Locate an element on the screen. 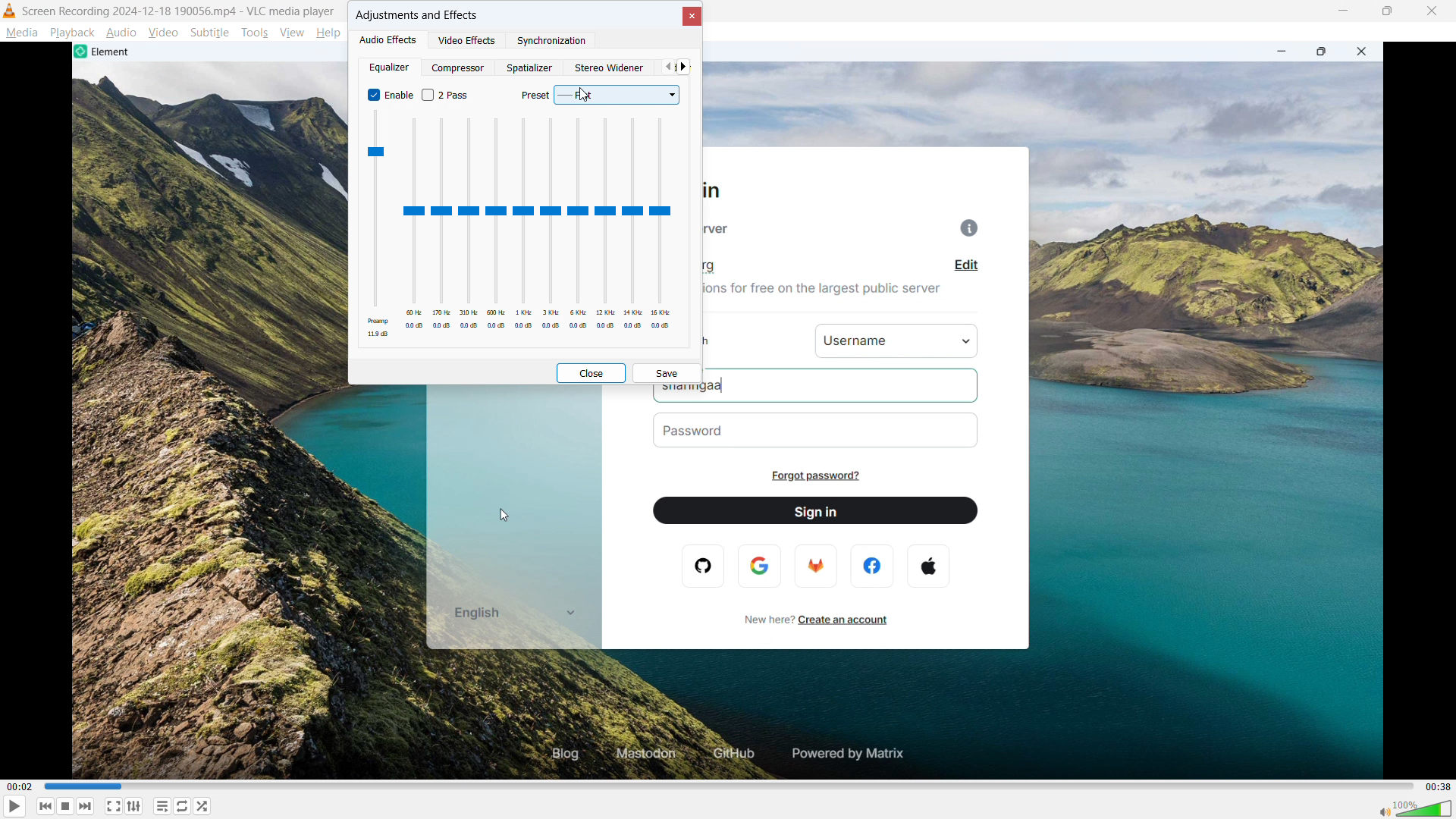 This screenshot has height=819, width=1456. Adjust 1 kilohertz is located at coordinates (524, 225).